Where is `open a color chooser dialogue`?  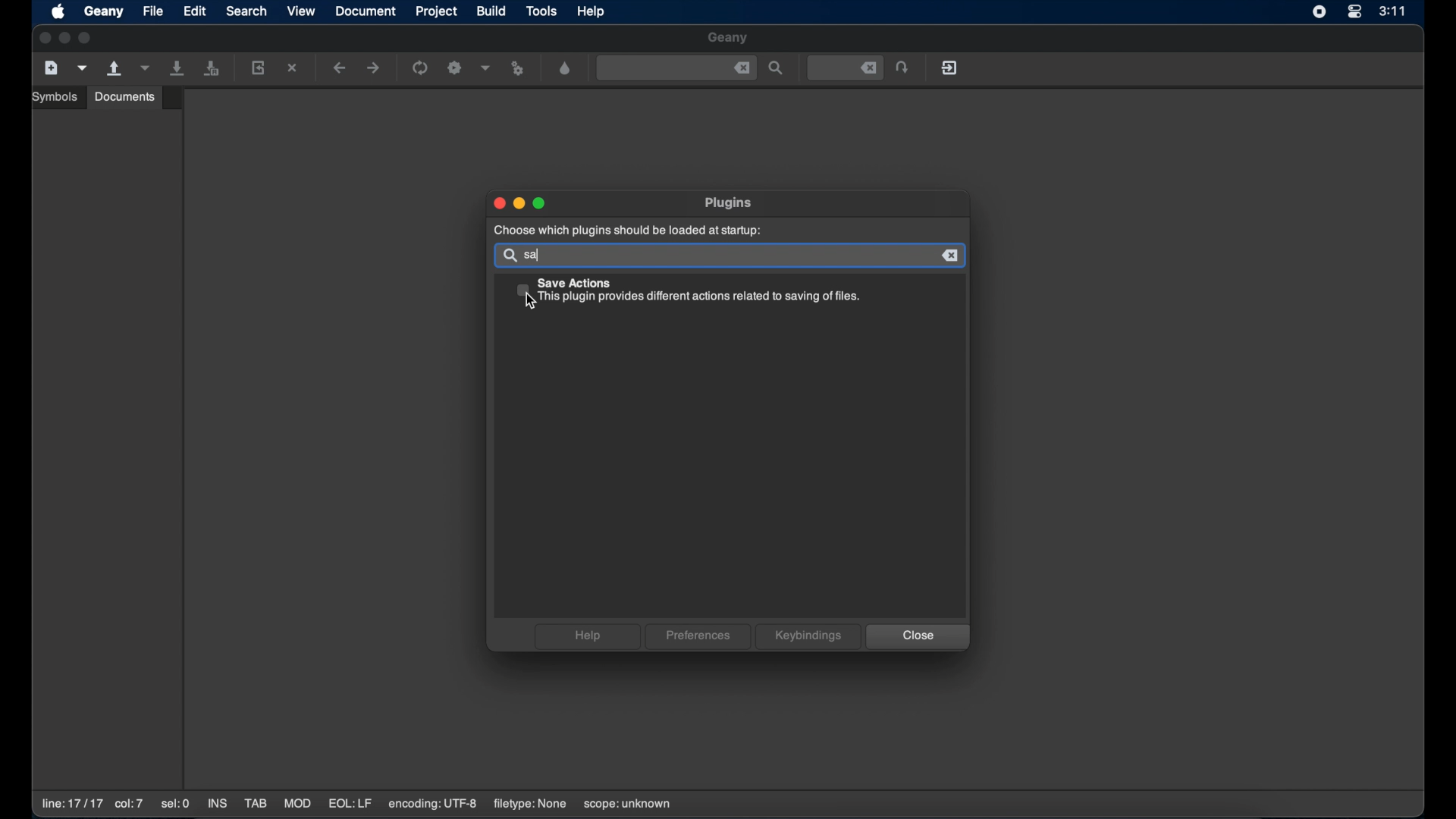
open a color chooser dialogue is located at coordinates (566, 69).